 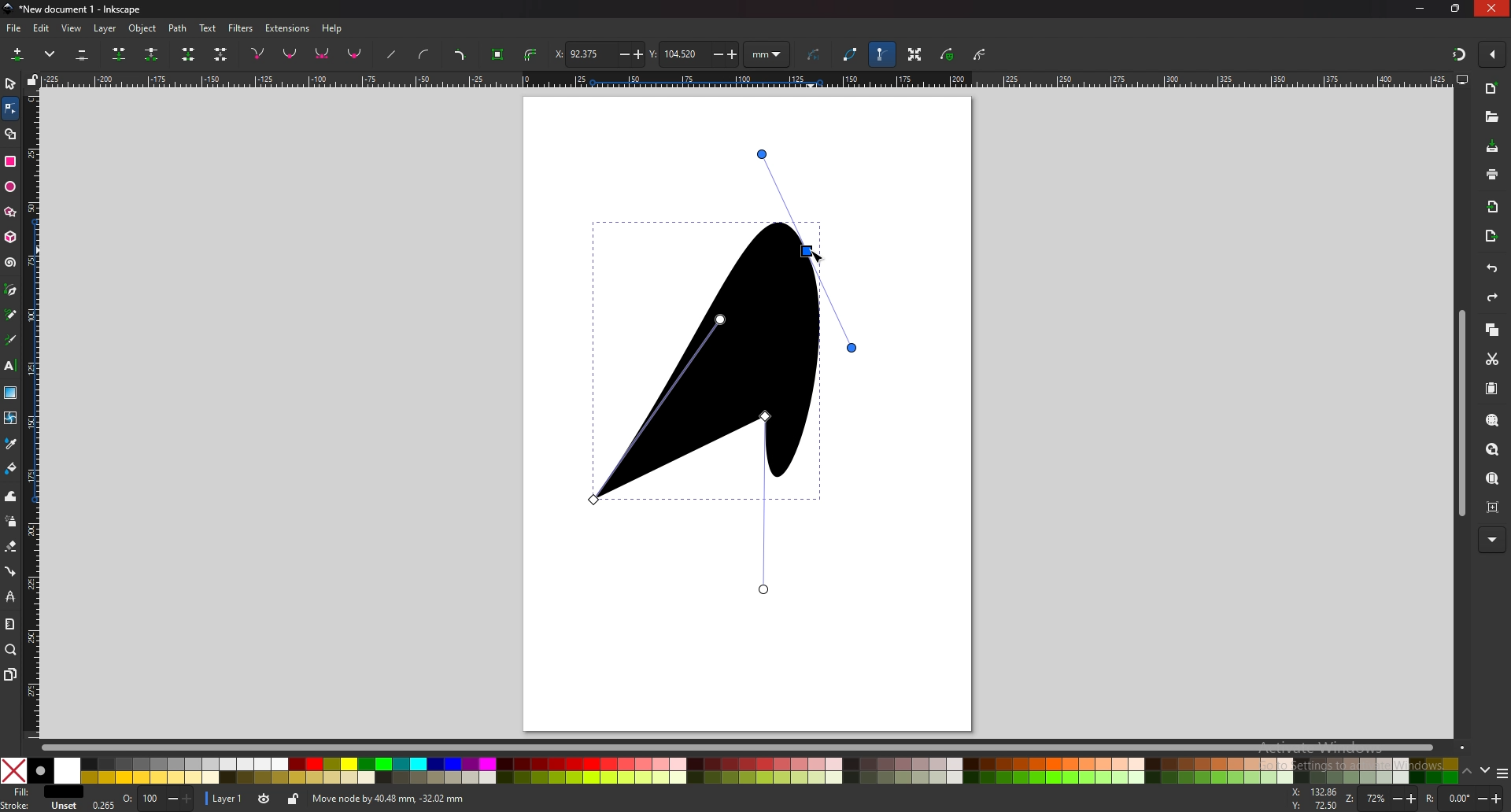 I want to click on cut, so click(x=1492, y=358).